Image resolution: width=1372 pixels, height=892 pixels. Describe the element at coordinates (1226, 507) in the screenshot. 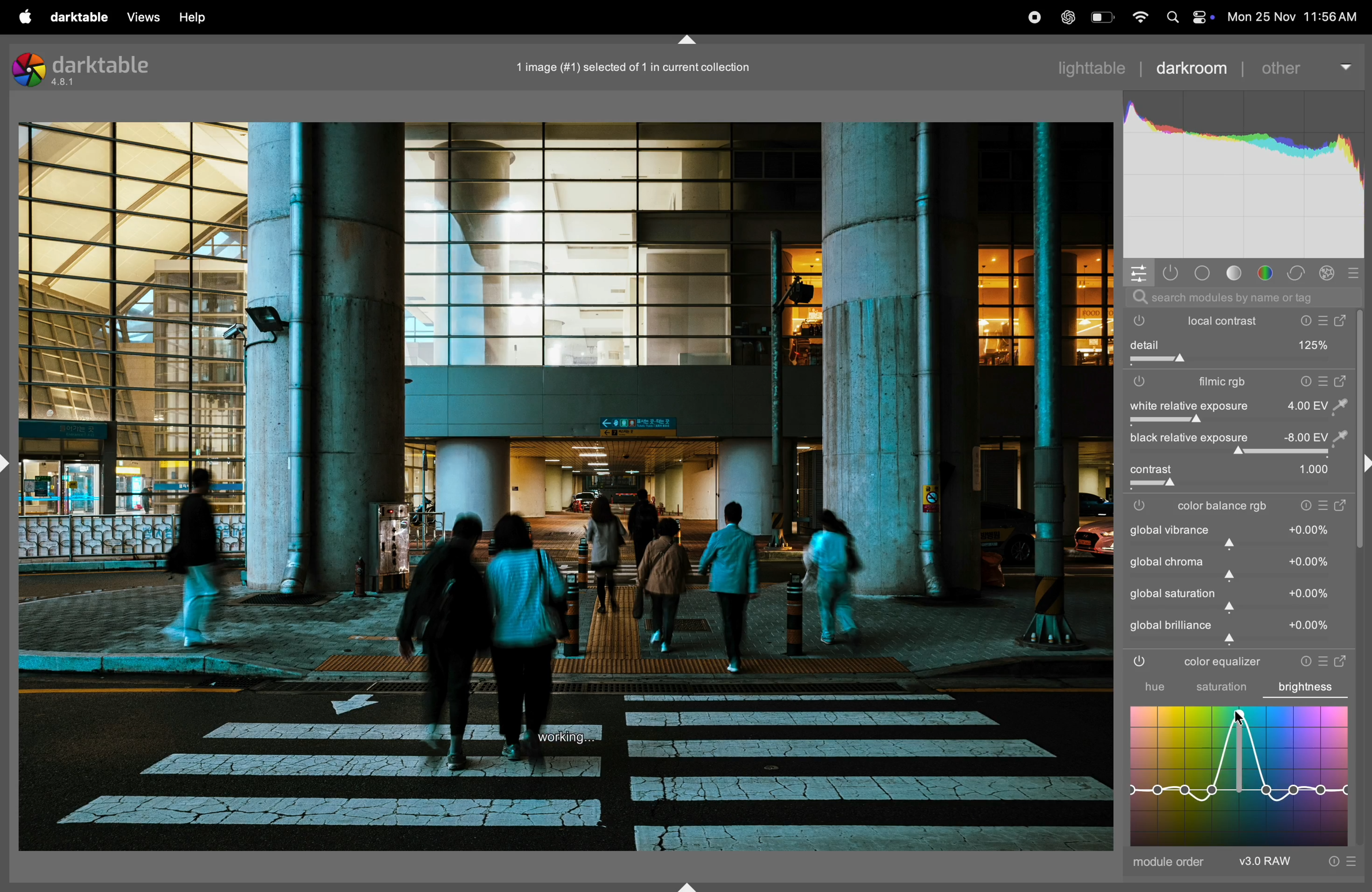

I see `color balance ` at that location.